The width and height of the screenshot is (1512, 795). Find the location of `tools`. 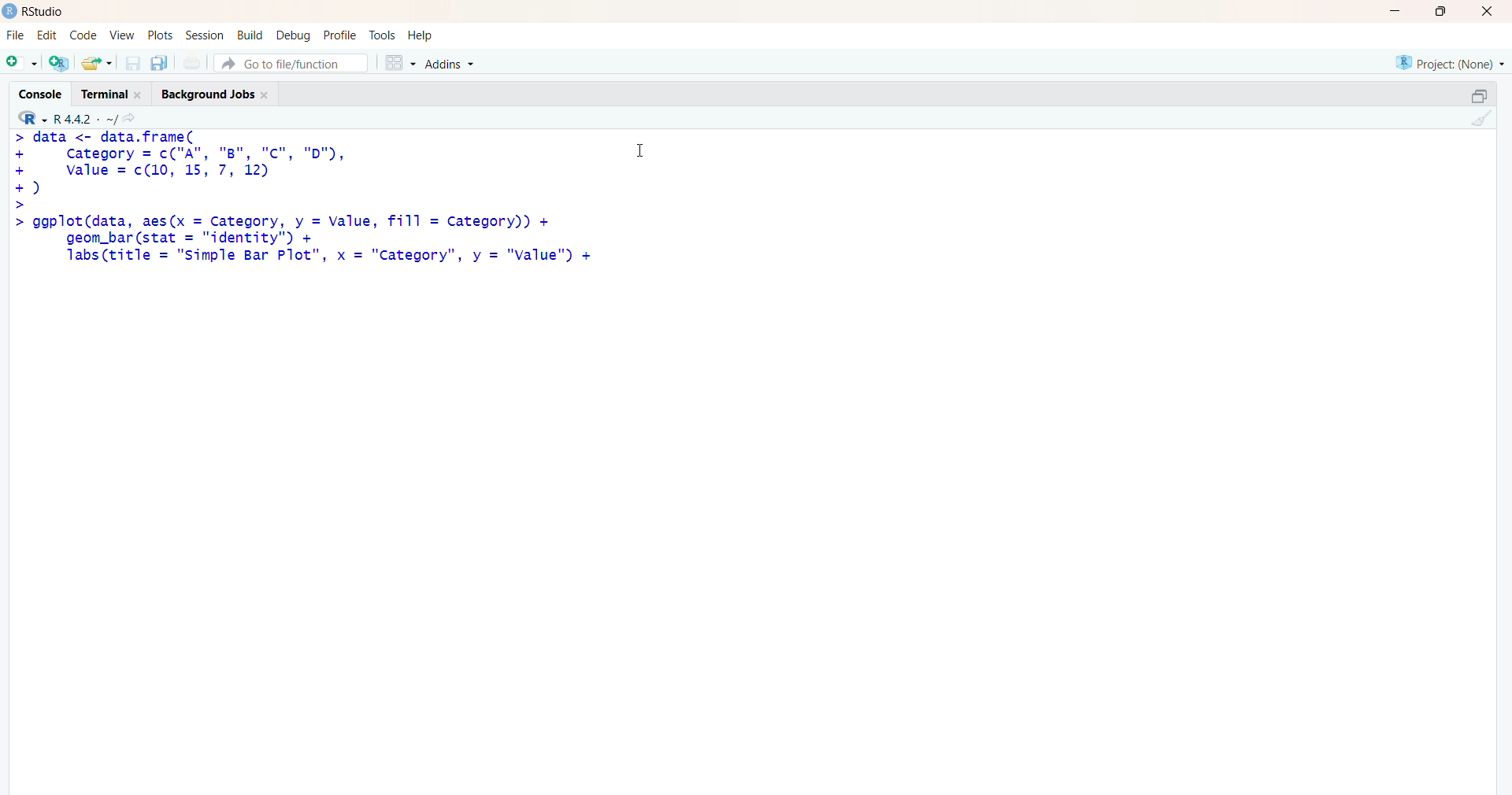

tools is located at coordinates (384, 35).